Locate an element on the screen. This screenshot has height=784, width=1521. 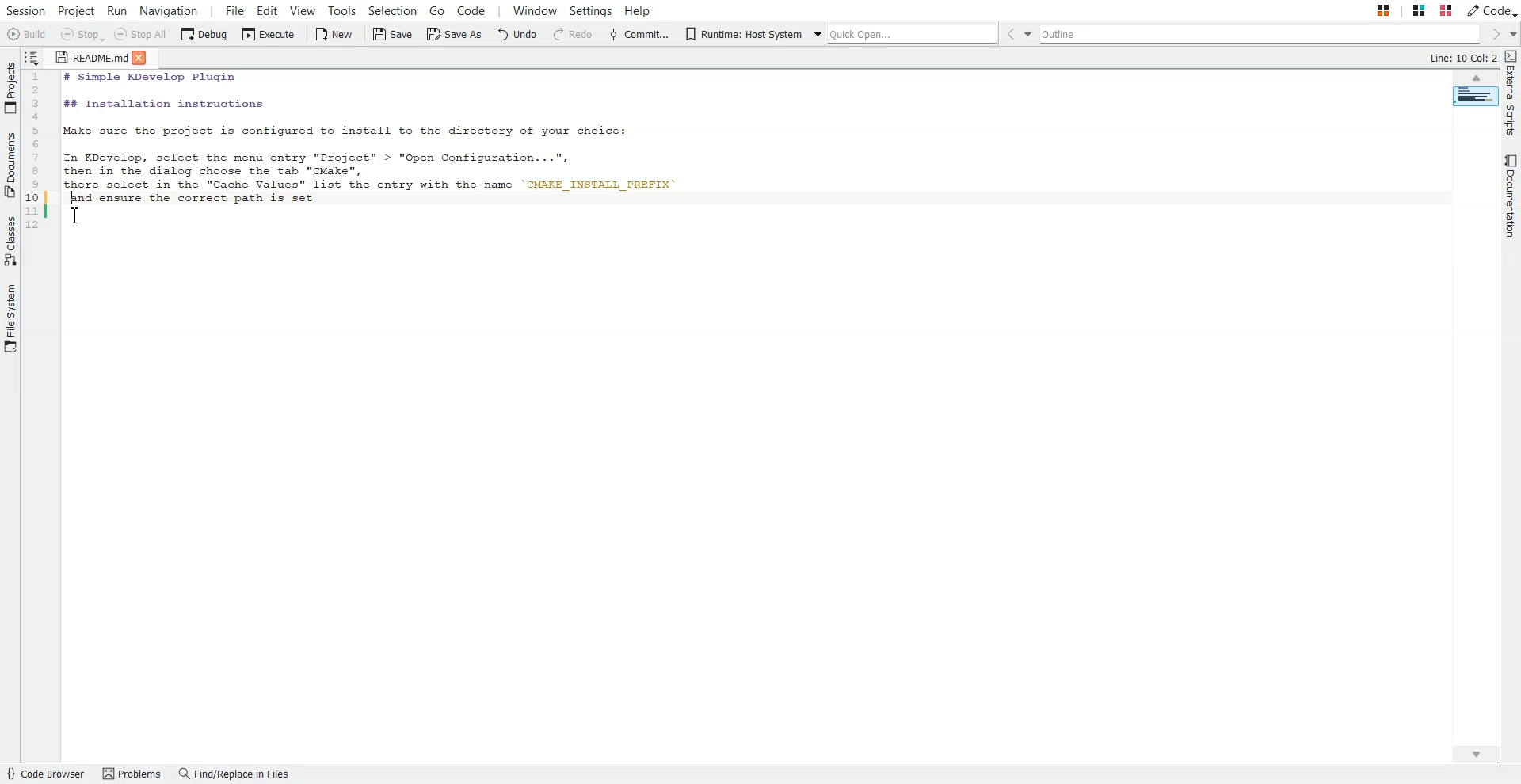
and ensure the correct path is set is located at coordinates (182, 198).